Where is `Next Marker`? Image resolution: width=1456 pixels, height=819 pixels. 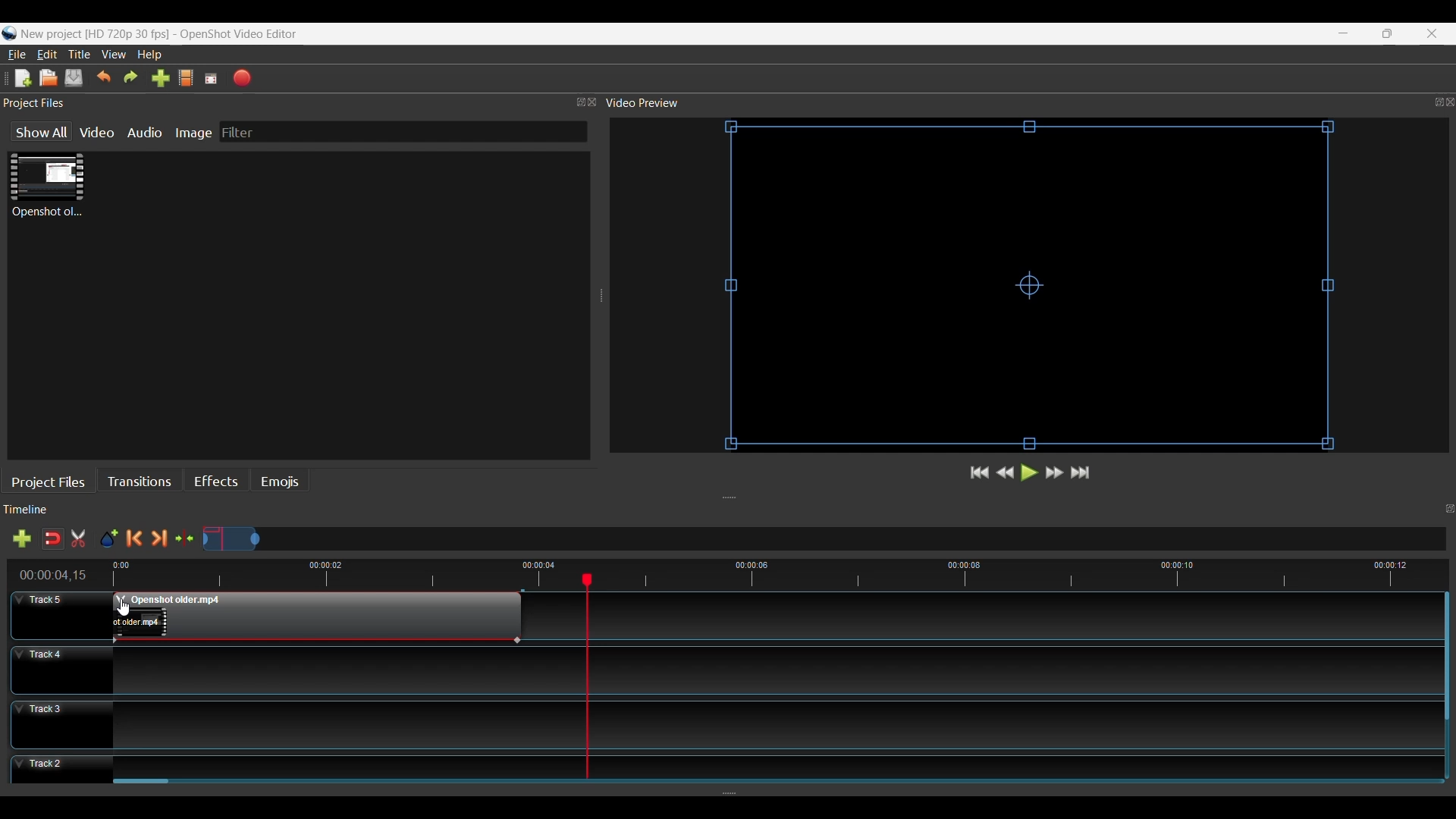
Next Marker is located at coordinates (162, 538).